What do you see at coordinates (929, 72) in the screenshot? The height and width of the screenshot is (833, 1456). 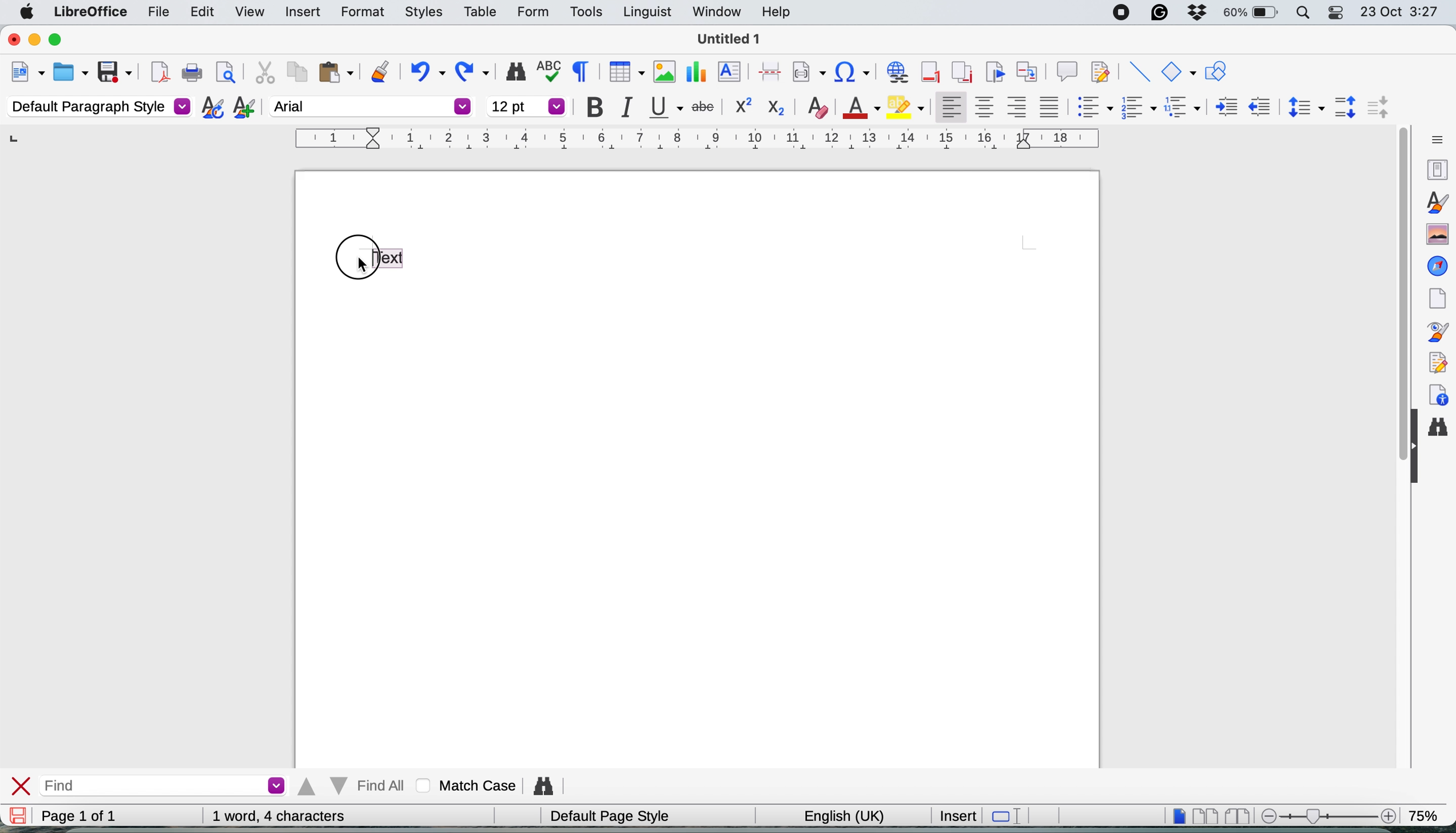 I see `insert footnote` at bounding box center [929, 72].